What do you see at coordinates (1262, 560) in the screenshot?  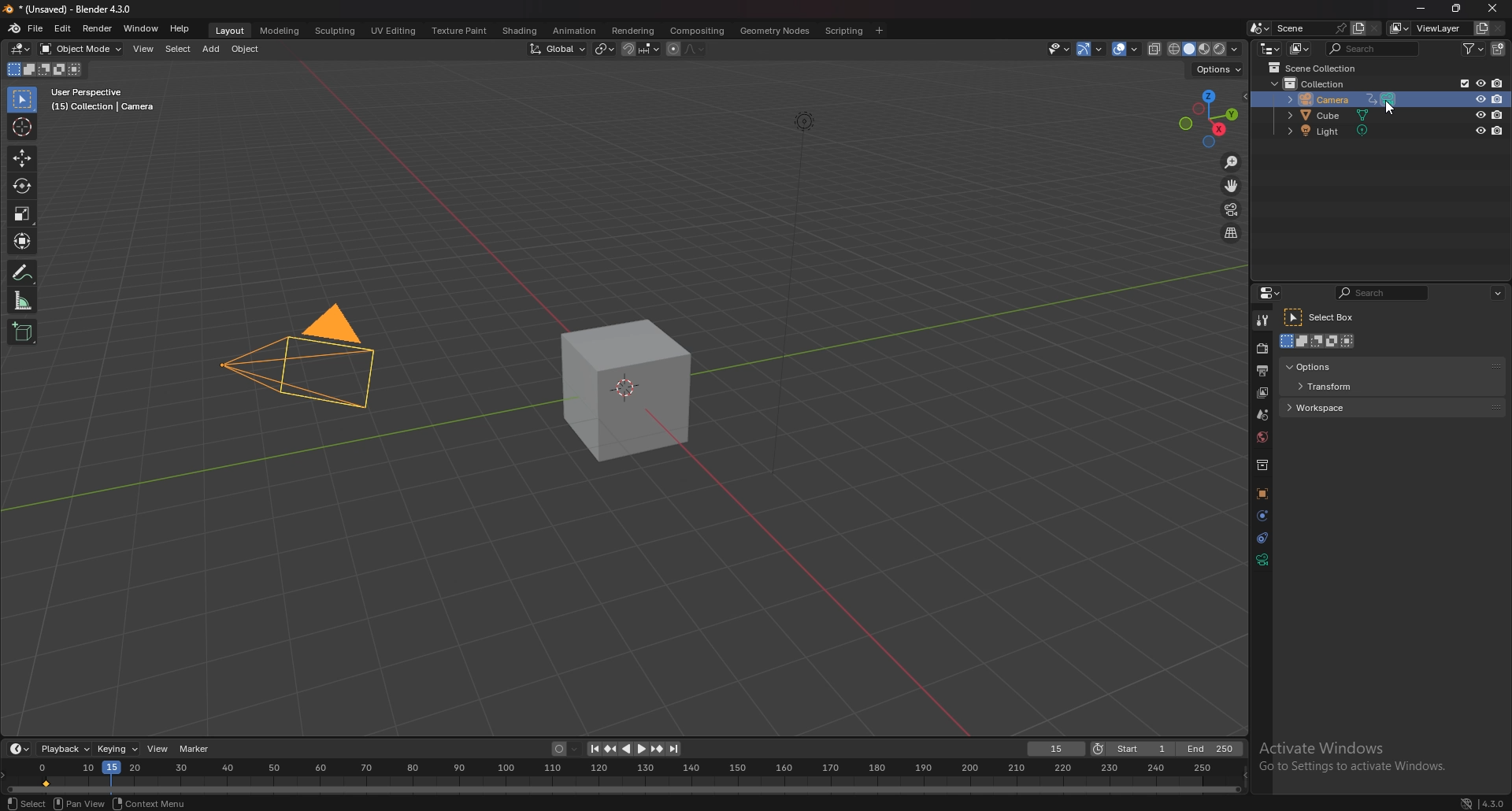 I see `data` at bounding box center [1262, 560].